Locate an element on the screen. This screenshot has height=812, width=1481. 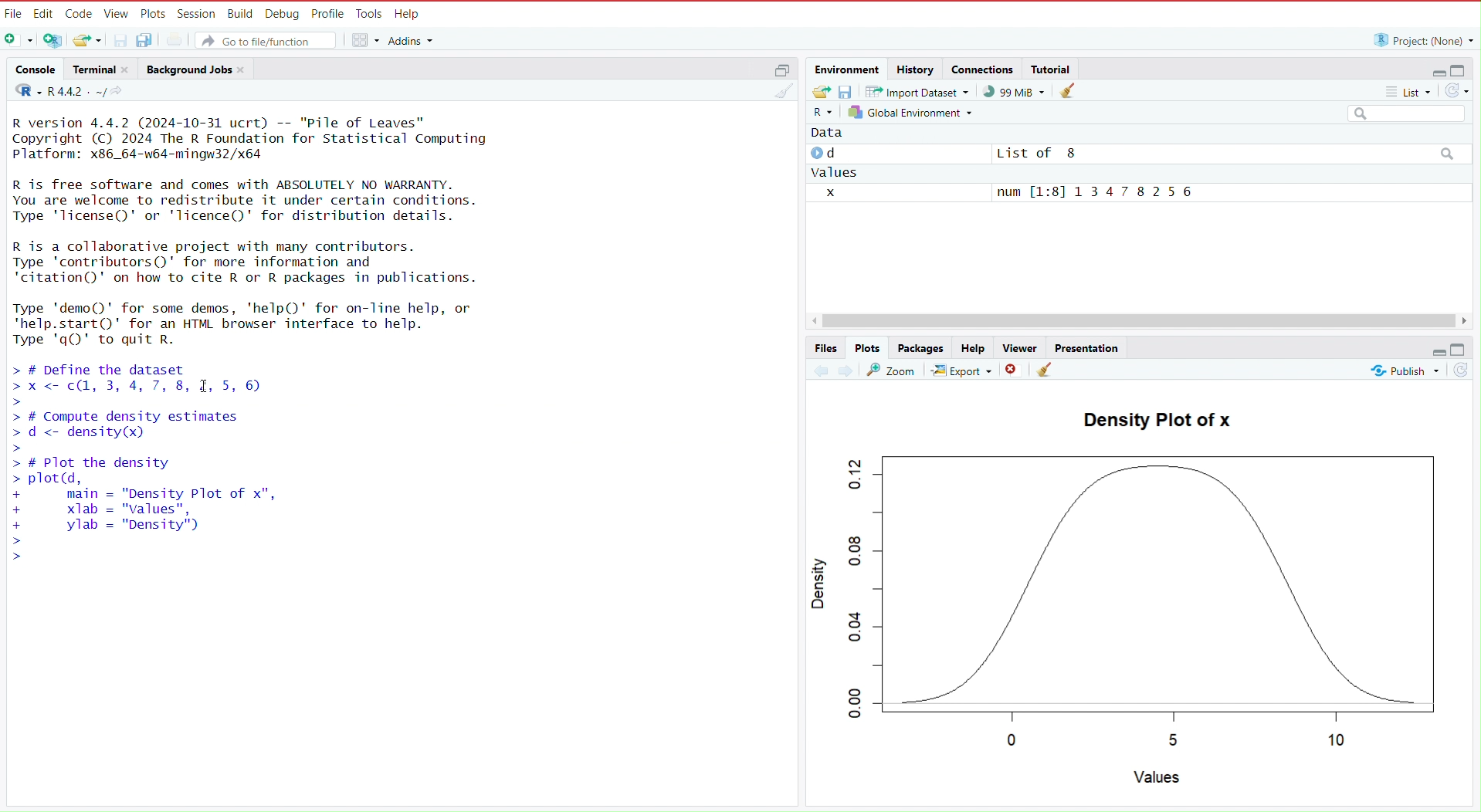
edit is located at coordinates (45, 12).